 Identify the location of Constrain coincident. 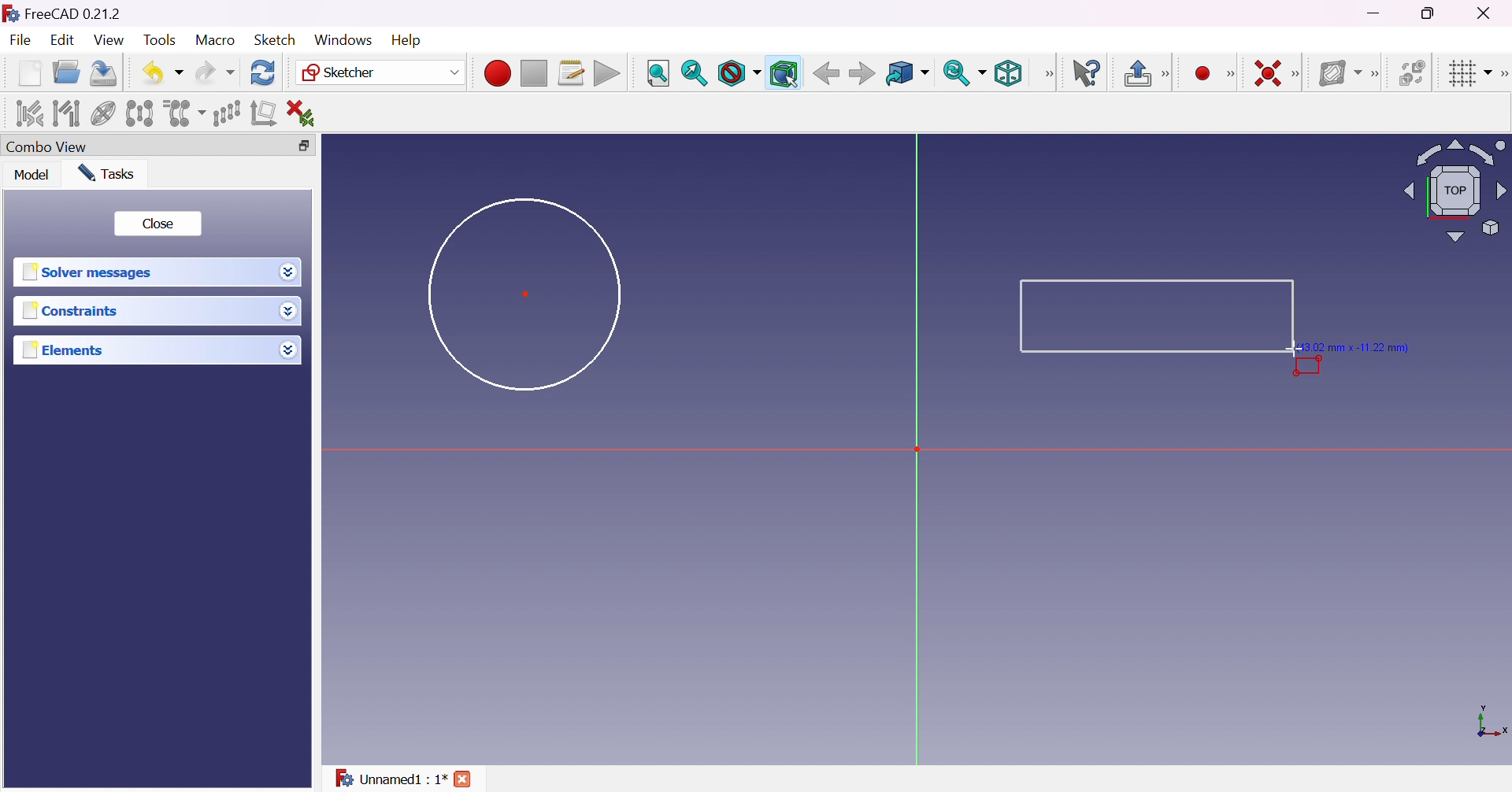
(1266, 73).